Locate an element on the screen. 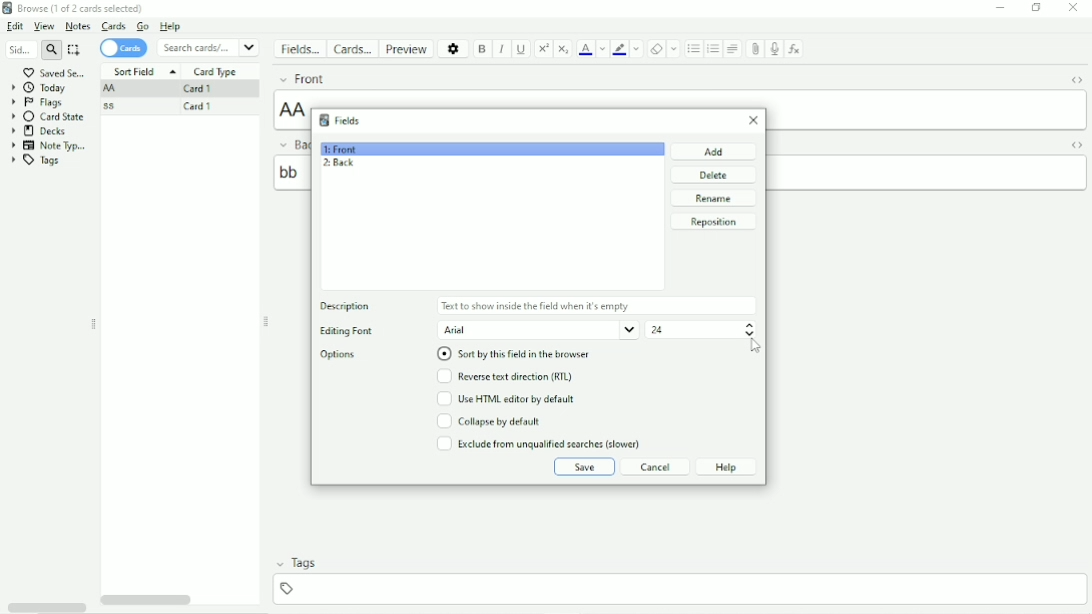 The height and width of the screenshot is (614, 1092). Resize is located at coordinates (267, 321).